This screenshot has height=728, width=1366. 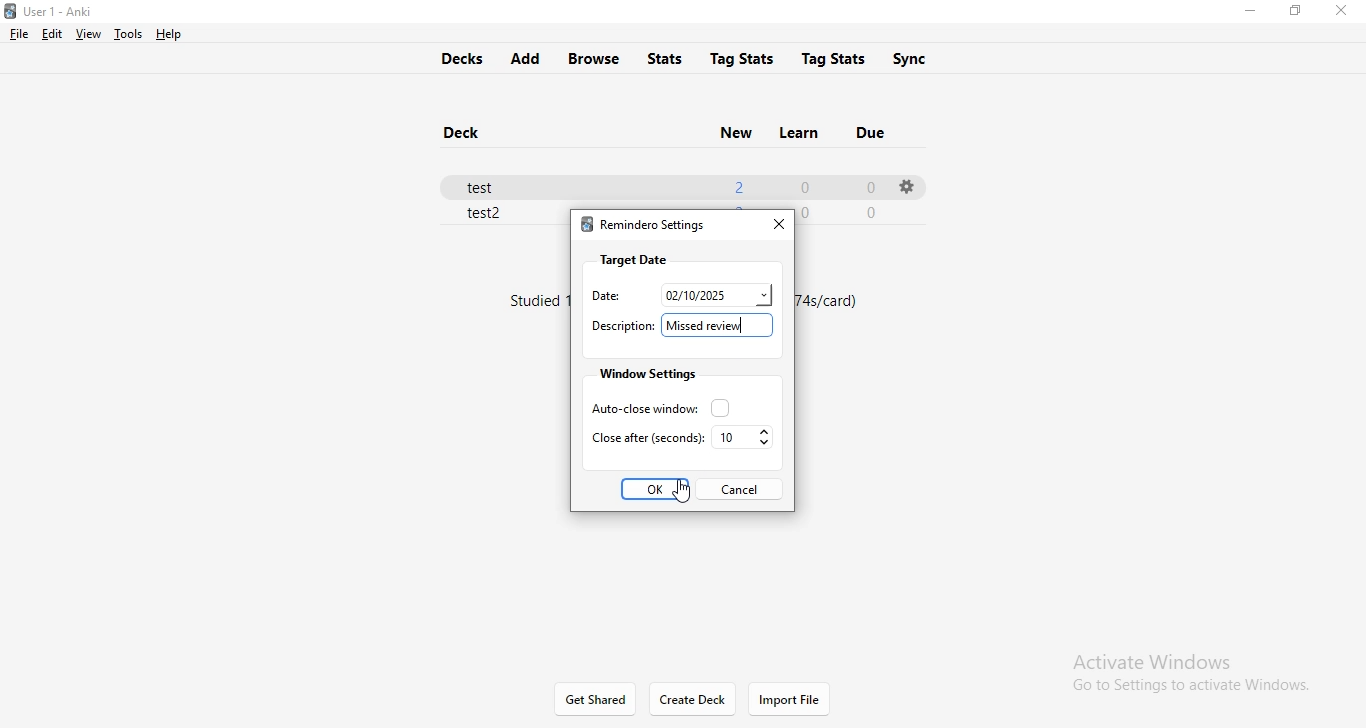 What do you see at coordinates (1345, 11) in the screenshot?
I see `close` at bounding box center [1345, 11].